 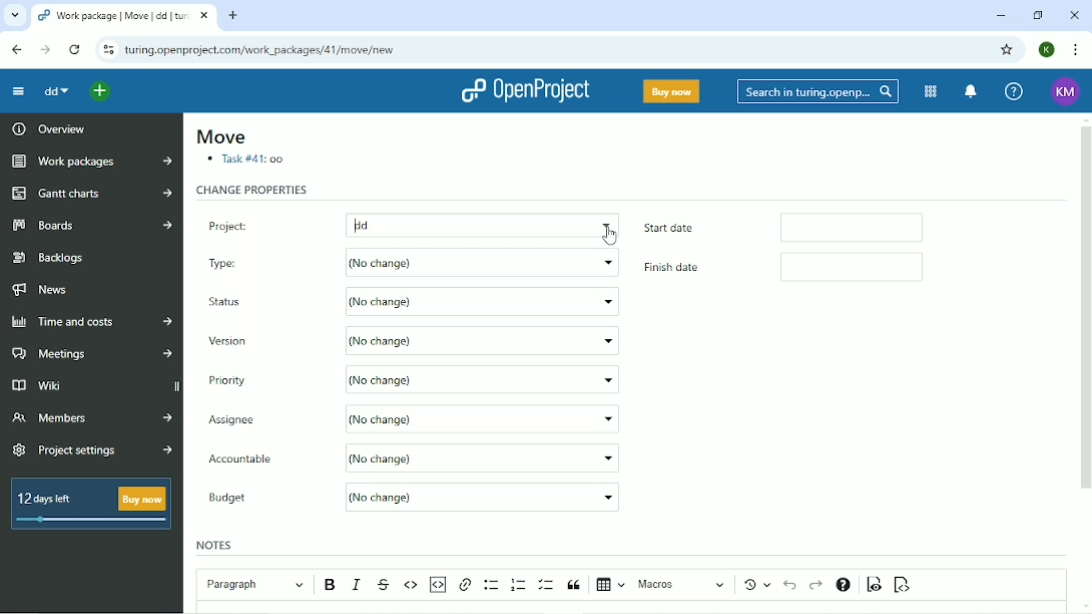 I want to click on Bookmark this tab, so click(x=1005, y=49).